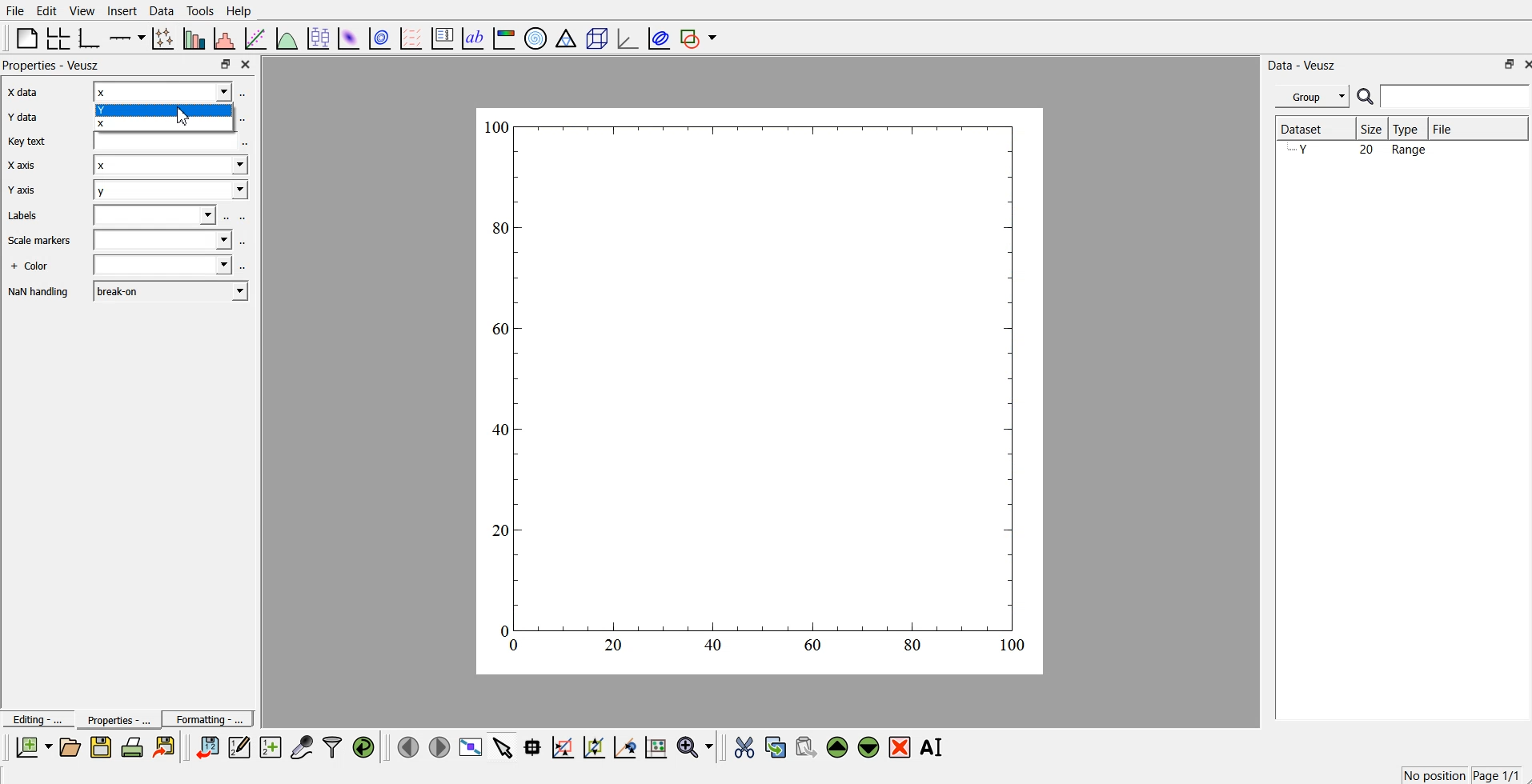 The image size is (1532, 784). Describe the element at coordinates (439, 746) in the screenshot. I see `Move to next page` at that location.